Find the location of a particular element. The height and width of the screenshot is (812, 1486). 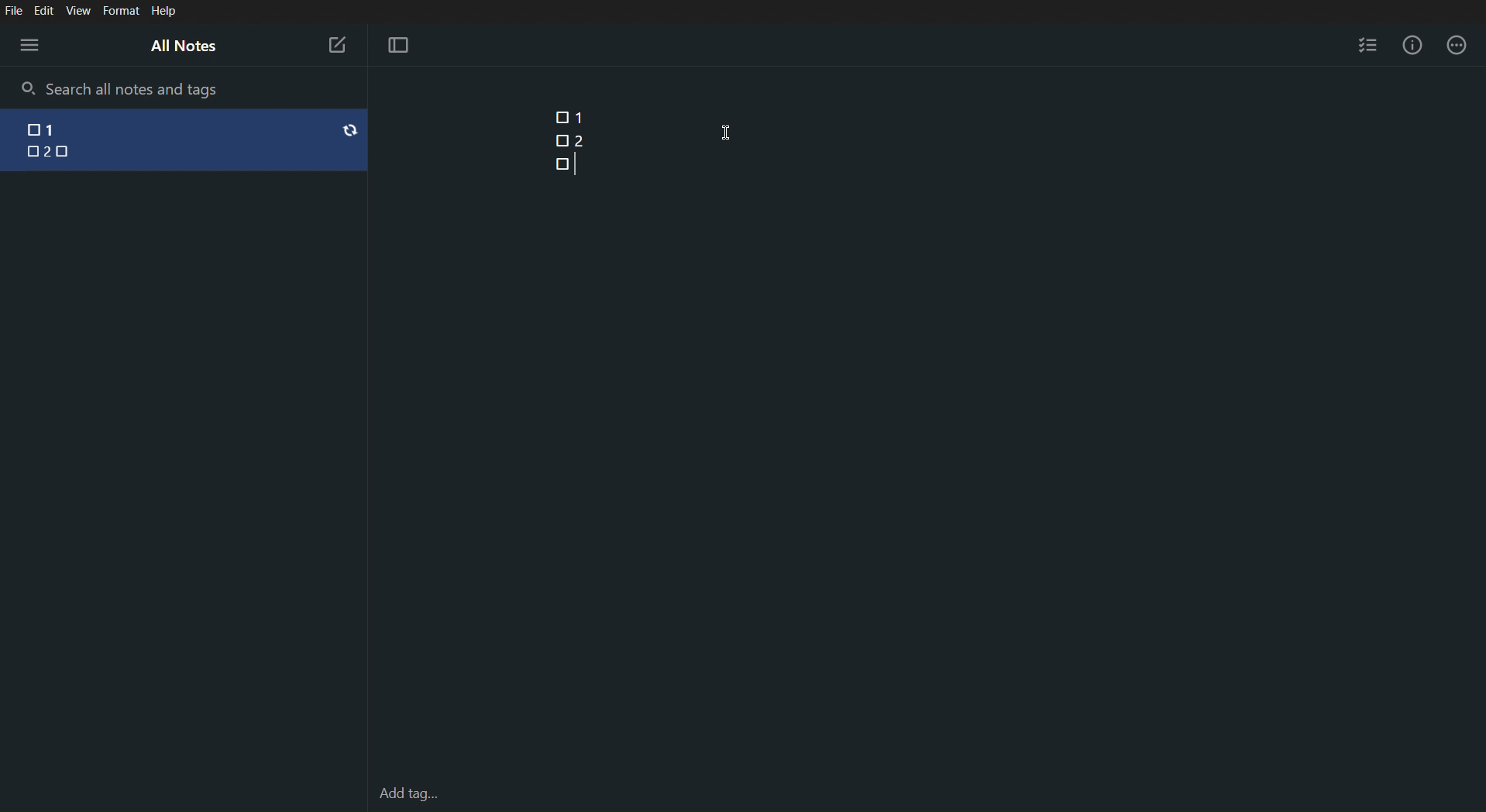

All Notes is located at coordinates (182, 45).